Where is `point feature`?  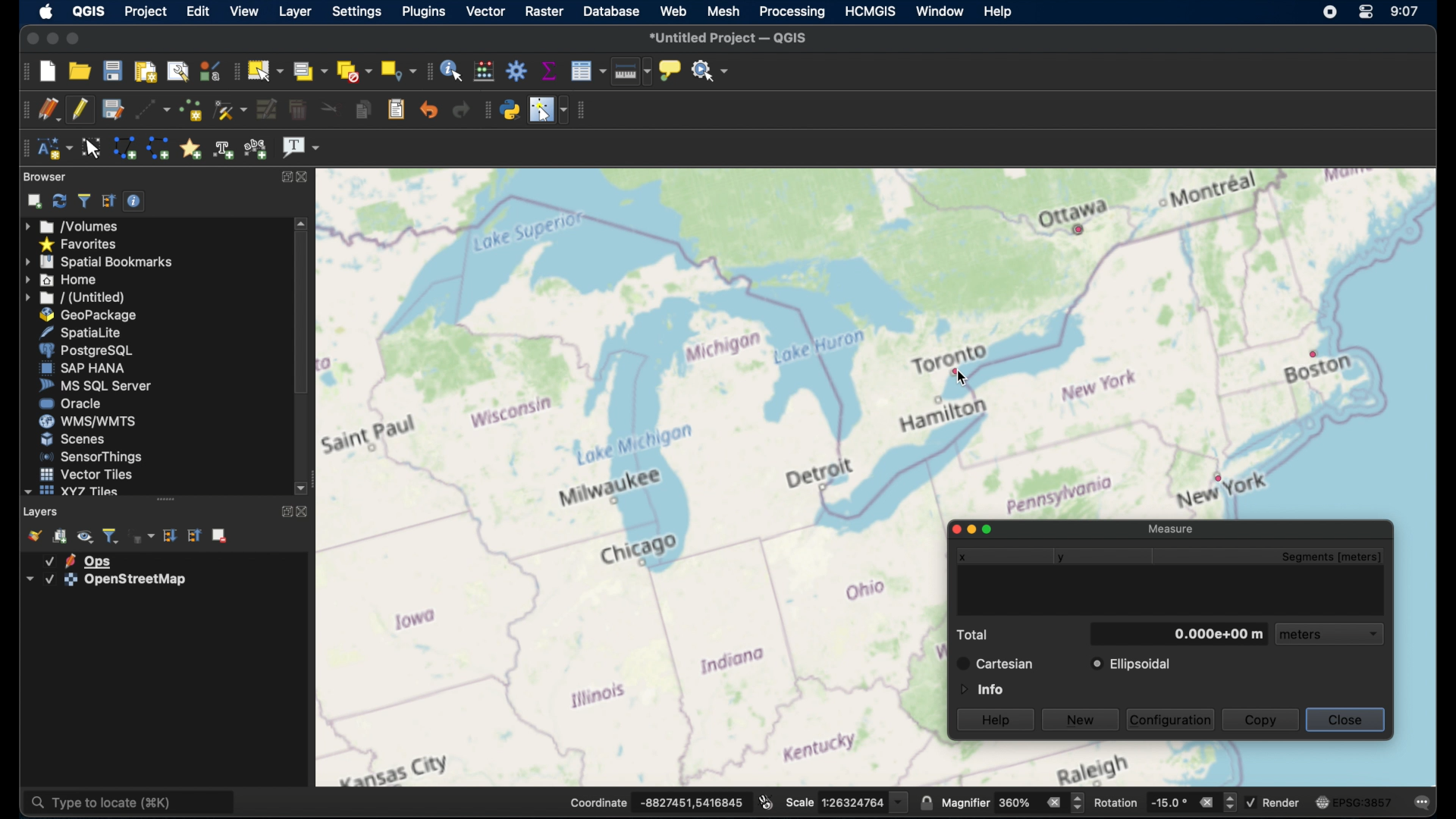 point feature is located at coordinates (956, 371).